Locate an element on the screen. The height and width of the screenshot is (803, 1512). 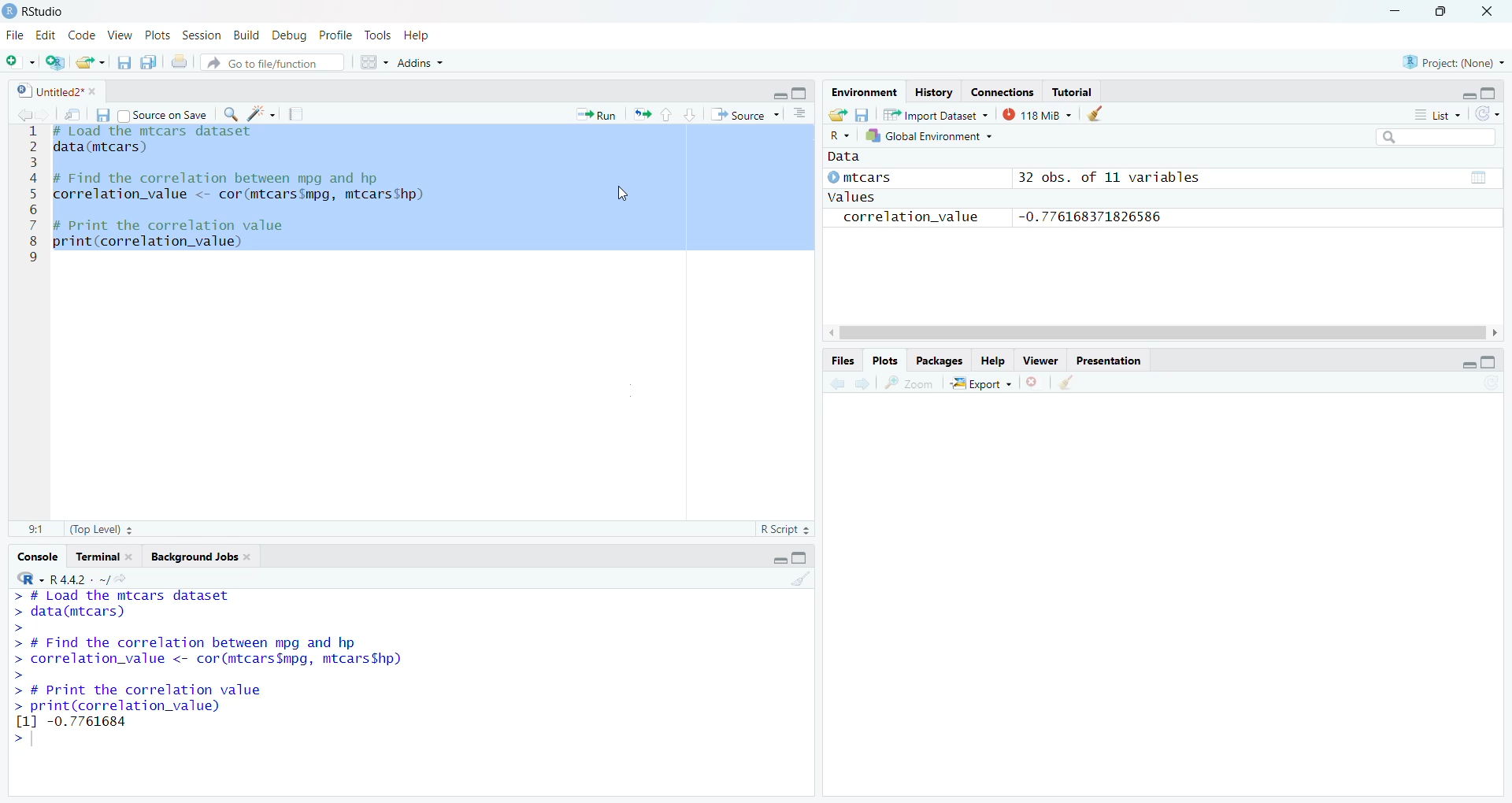
149kib used by R session (Source: Windows System) is located at coordinates (1043, 113).